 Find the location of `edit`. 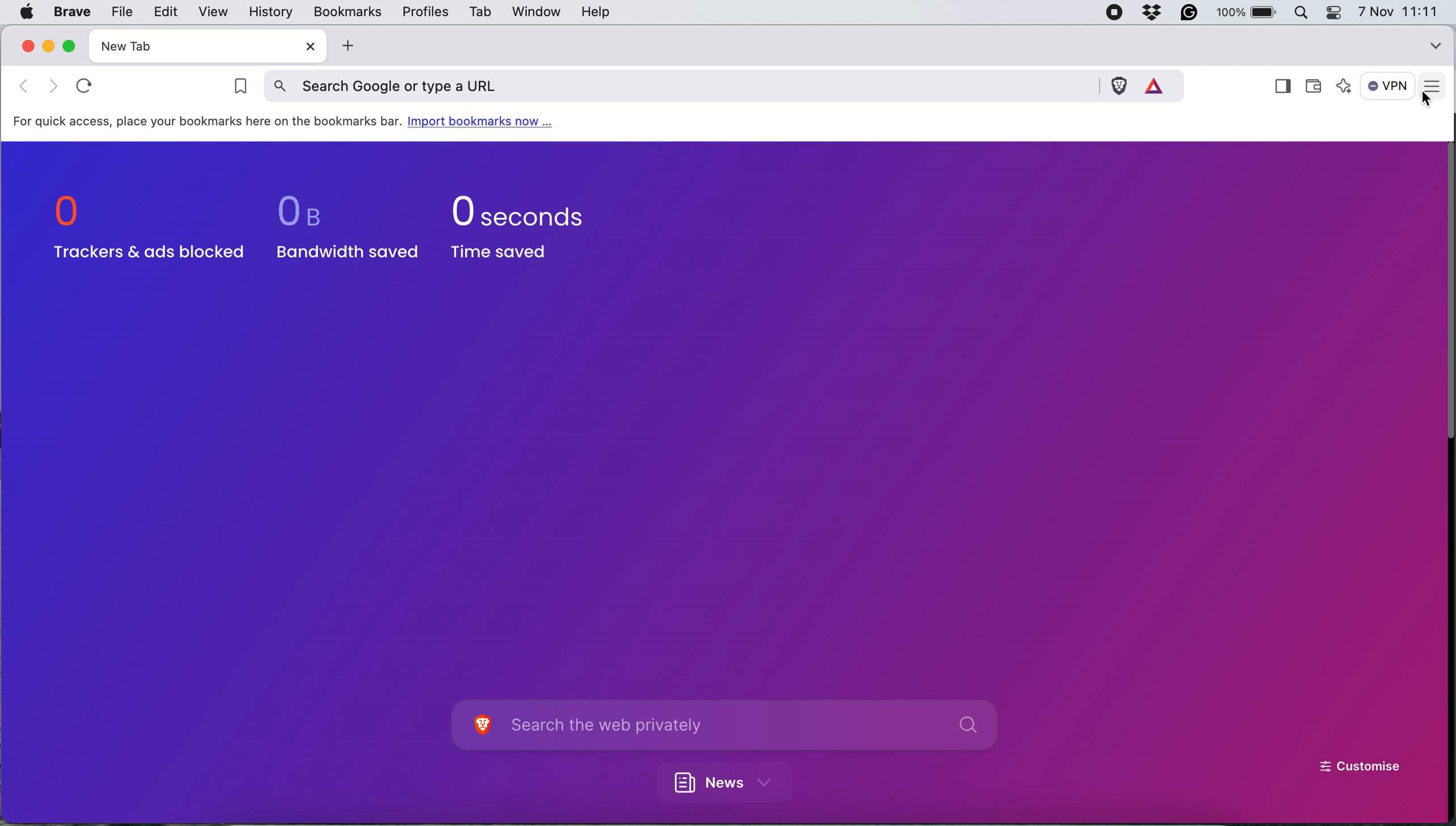

edit is located at coordinates (164, 11).